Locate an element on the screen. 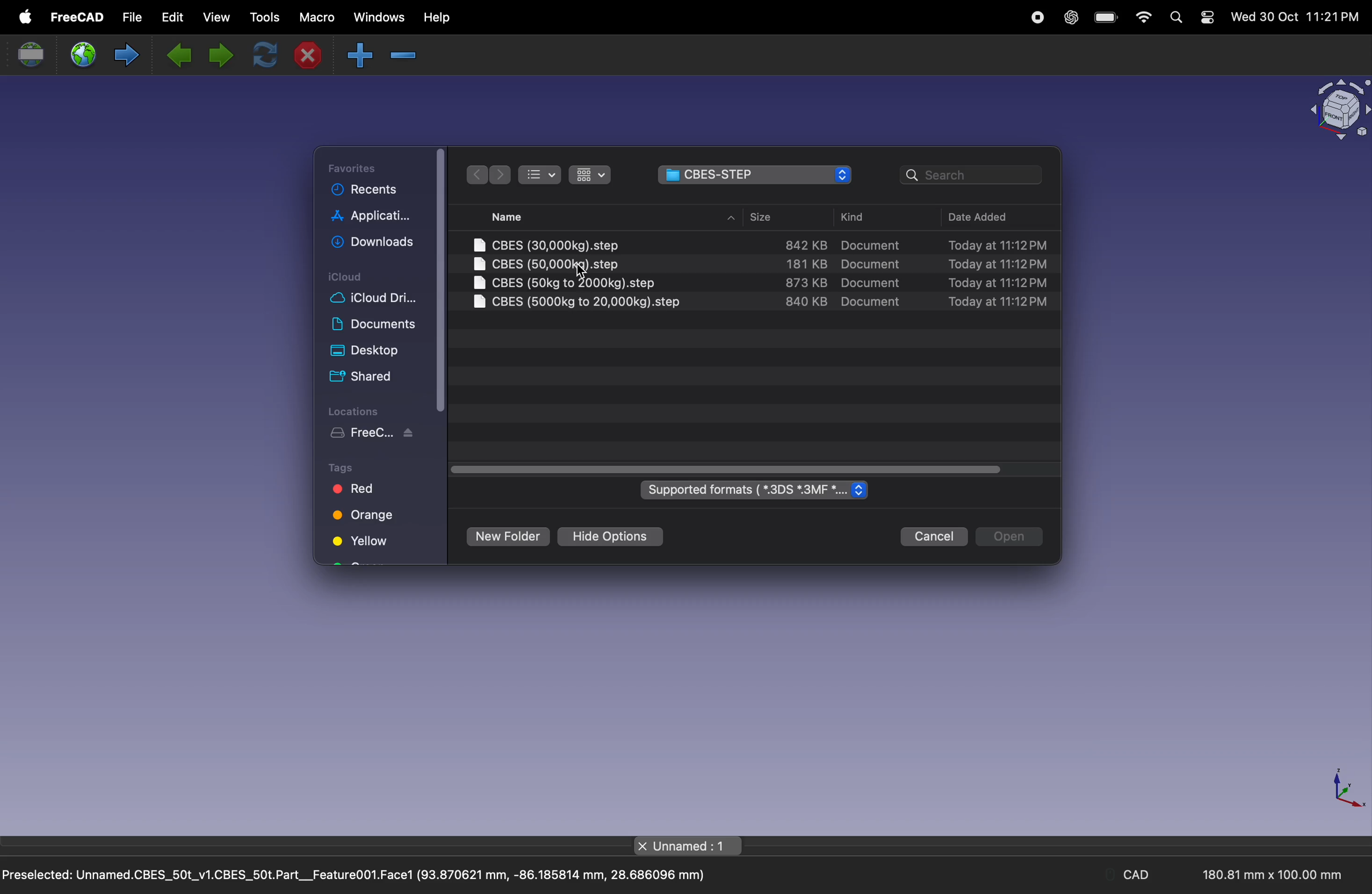 This screenshot has height=894, width=1372. recent is located at coordinates (365, 191).